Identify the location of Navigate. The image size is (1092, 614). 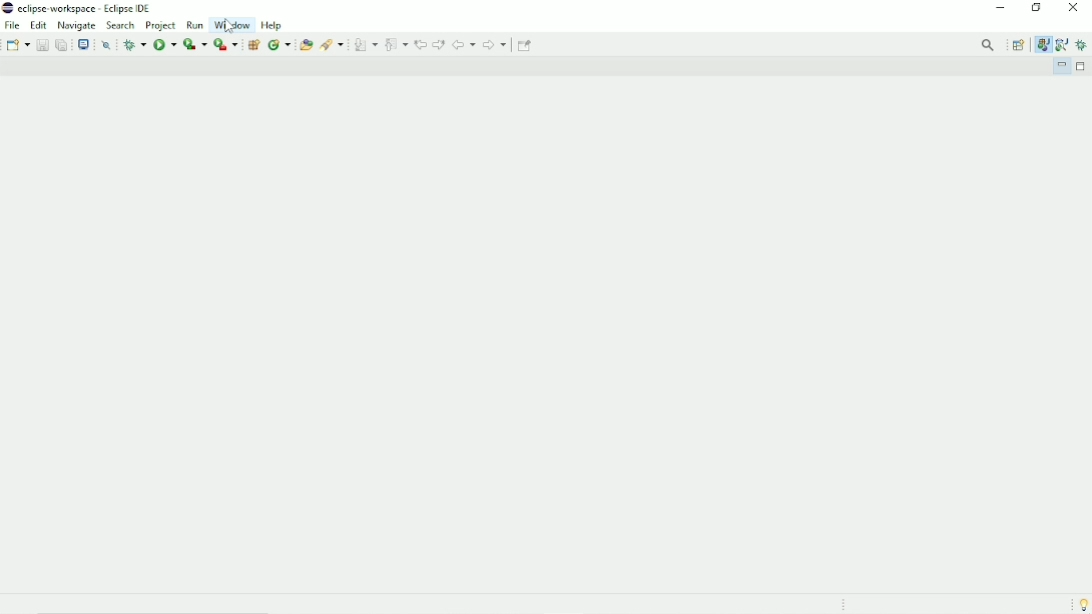
(78, 25).